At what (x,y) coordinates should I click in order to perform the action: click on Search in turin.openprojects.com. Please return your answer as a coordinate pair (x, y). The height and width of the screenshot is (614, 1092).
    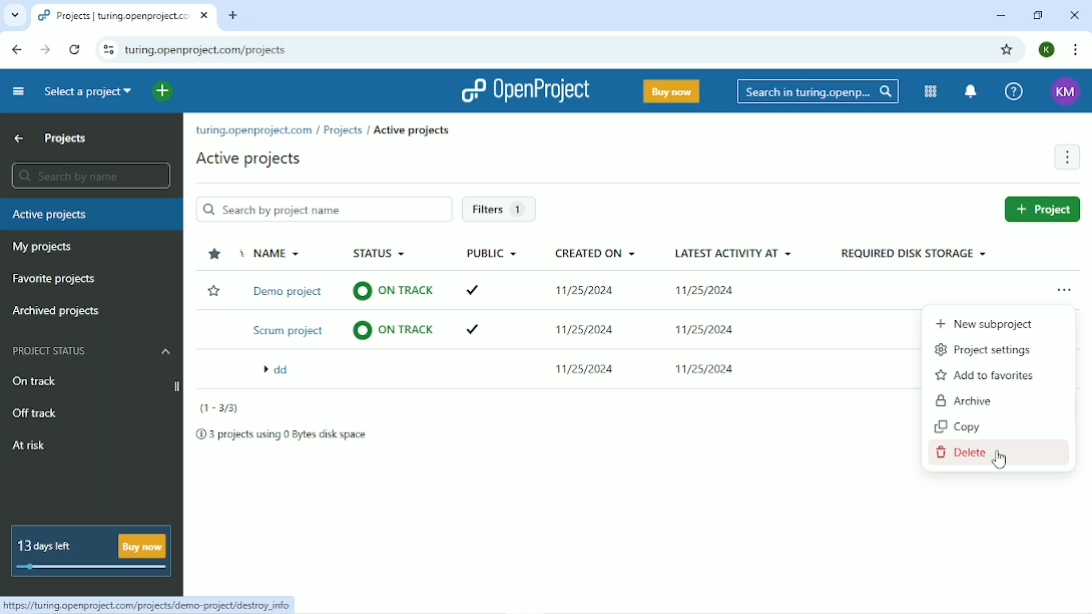
    Looking at the image, I should click on (818, 91).